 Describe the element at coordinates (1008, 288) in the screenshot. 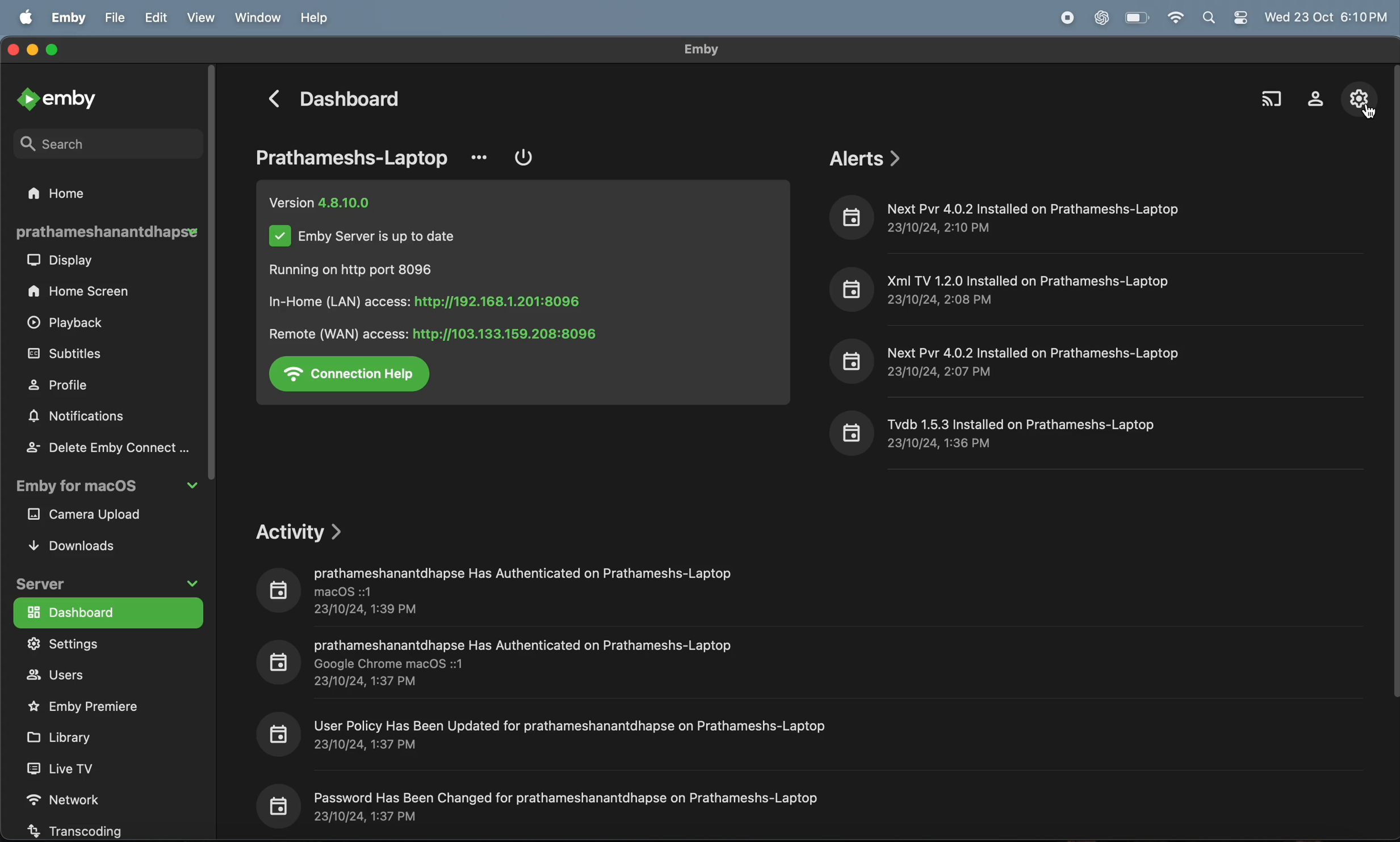

I see `i] Xml TV 1.2.0 Installed on Prathameshs-Laptop
23/10/24, 2:08 PM` at that location.